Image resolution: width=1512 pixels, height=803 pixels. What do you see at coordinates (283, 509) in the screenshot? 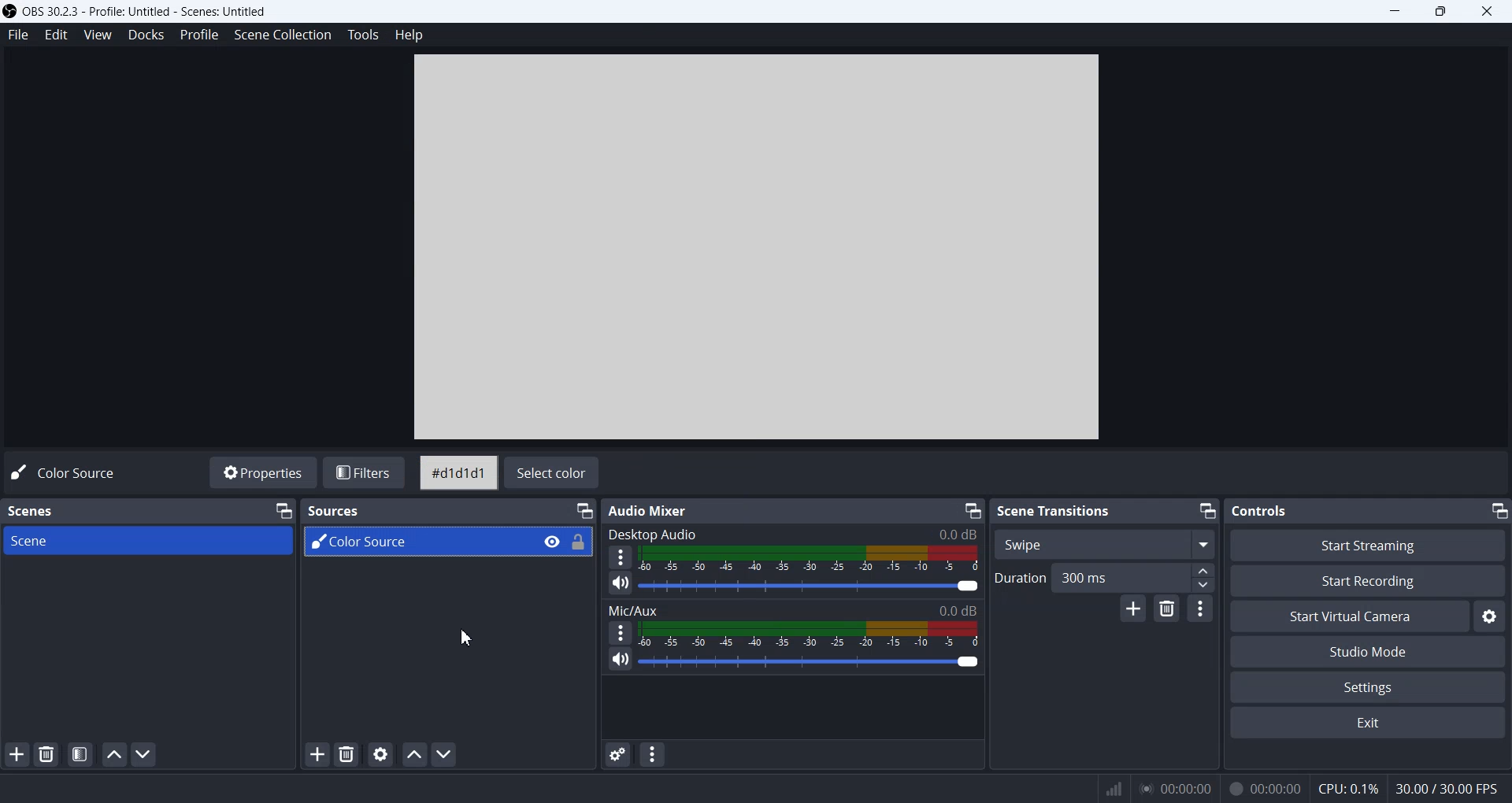
I see `Minimize` at bounding box center [283, 509].